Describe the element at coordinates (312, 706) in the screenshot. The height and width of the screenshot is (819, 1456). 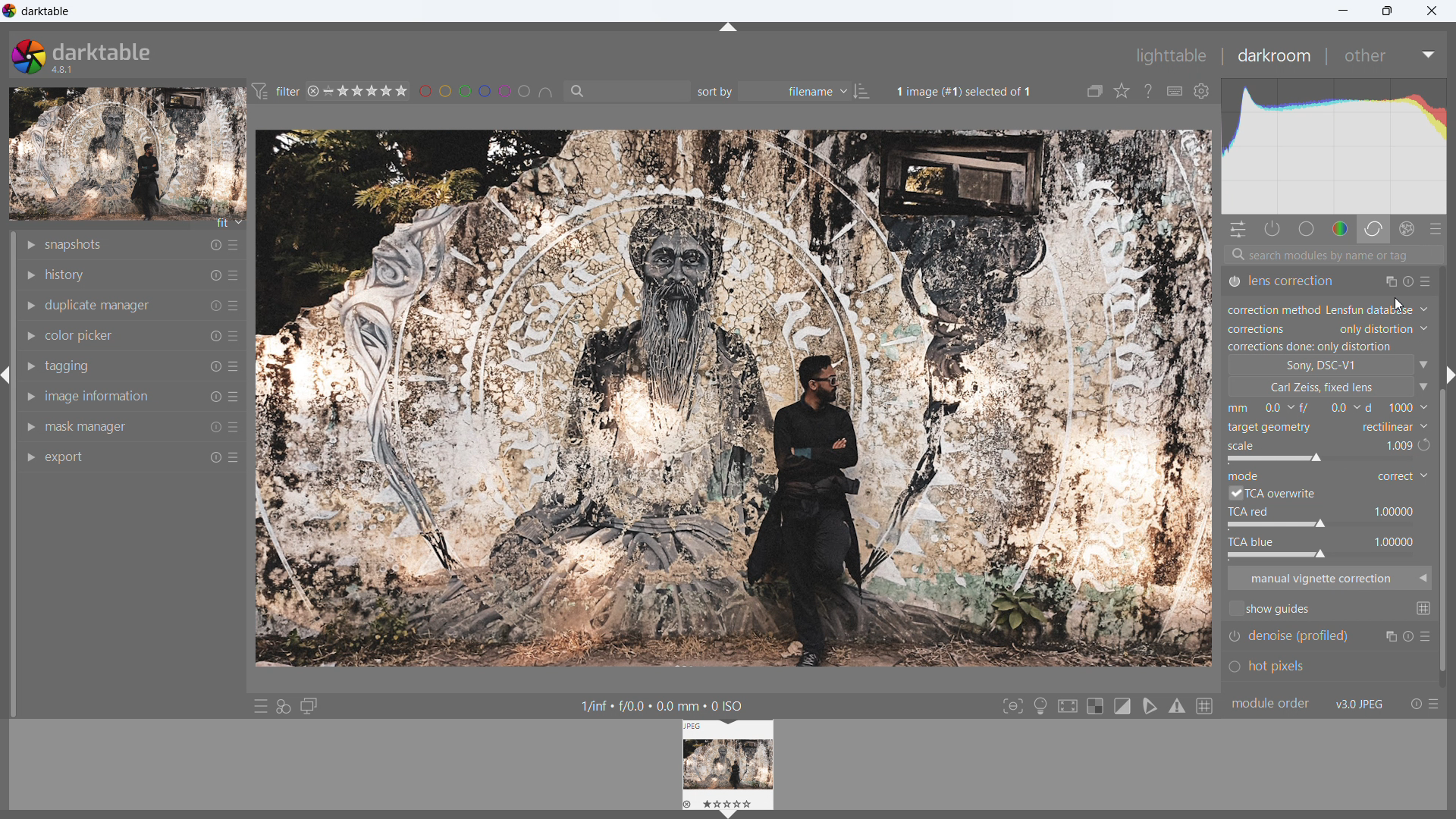
I see `display a second darkroom image window` at that location.